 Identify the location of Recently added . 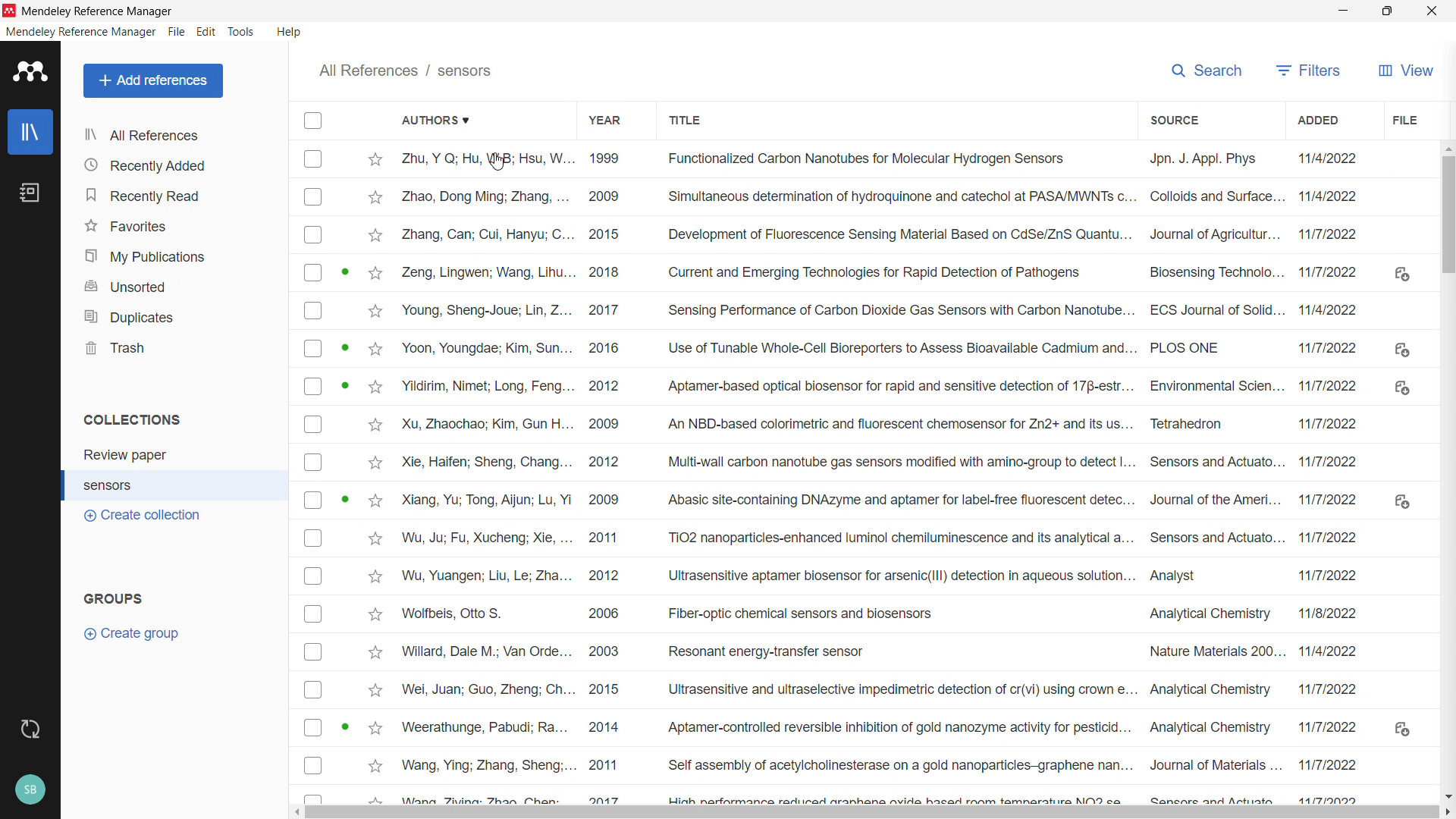
(178, 164).